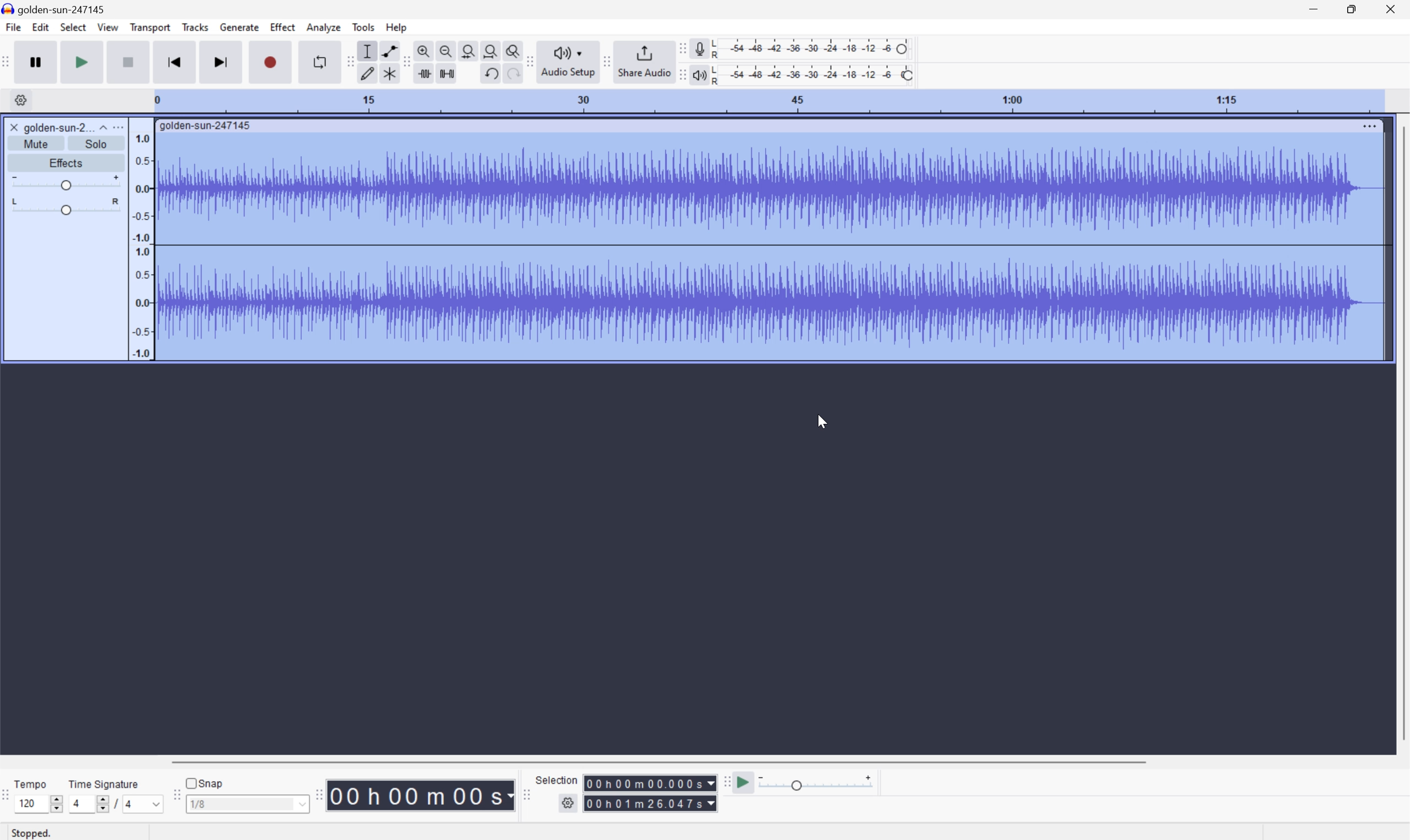  I want to click on Audacity audio share toolbar, so click(530, 59).